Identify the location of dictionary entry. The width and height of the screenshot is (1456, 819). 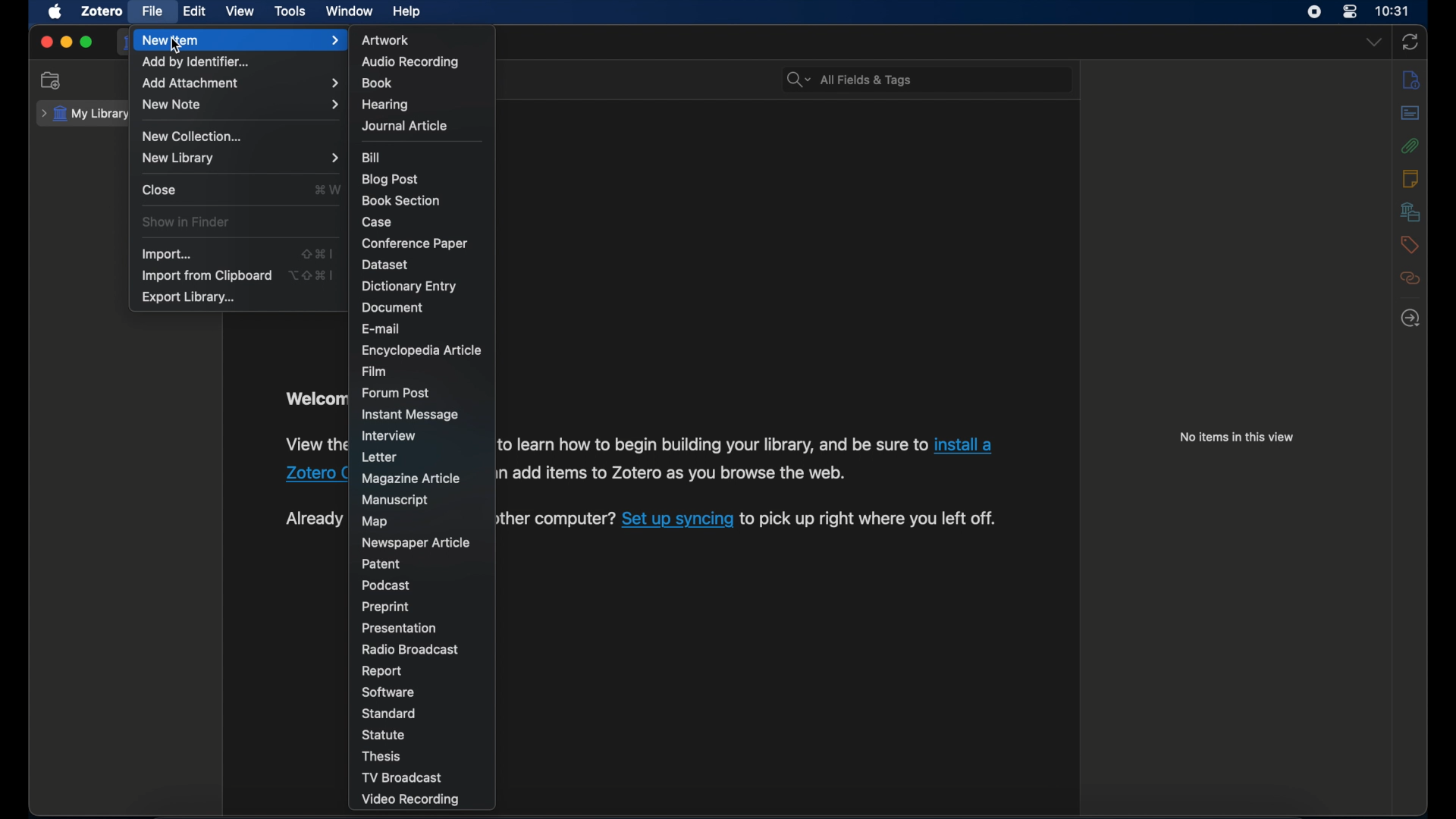
(409, 287).